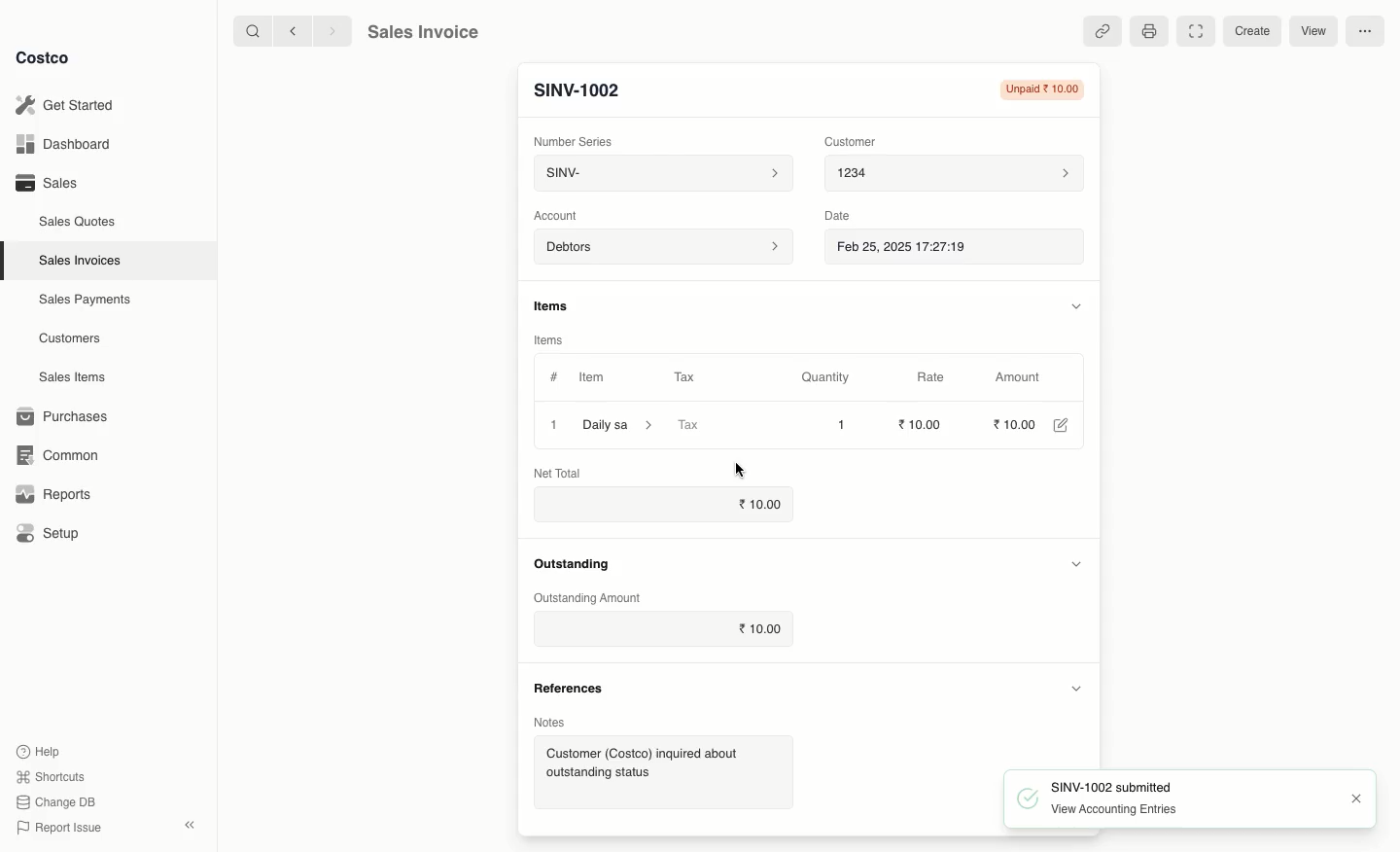  What do you see at coordinates (556, 304) in the screenshot?
I see `` at bounding box center [556, 304].